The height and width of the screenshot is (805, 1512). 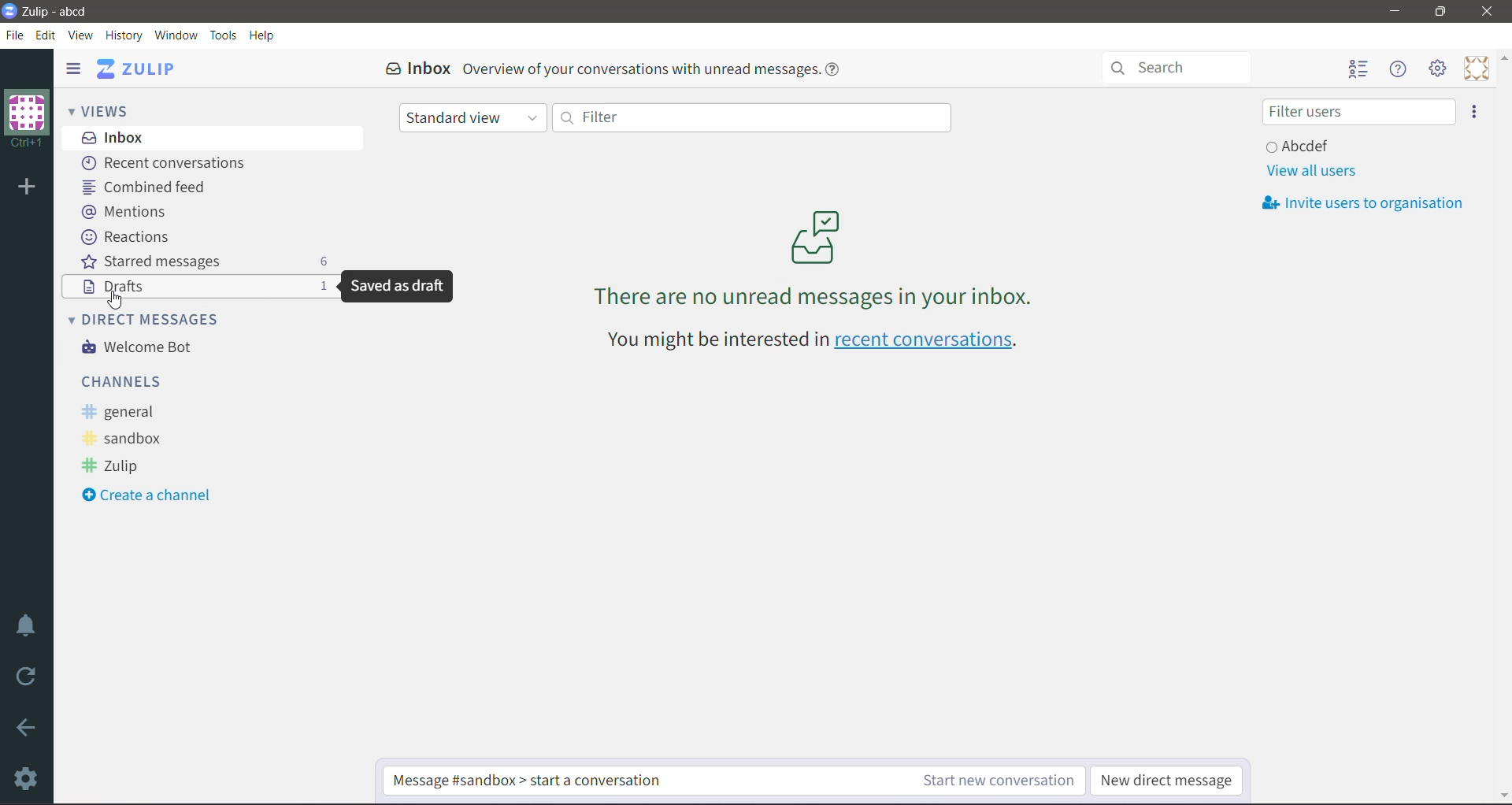 I want to click on Window, so click(x=176, y=35).